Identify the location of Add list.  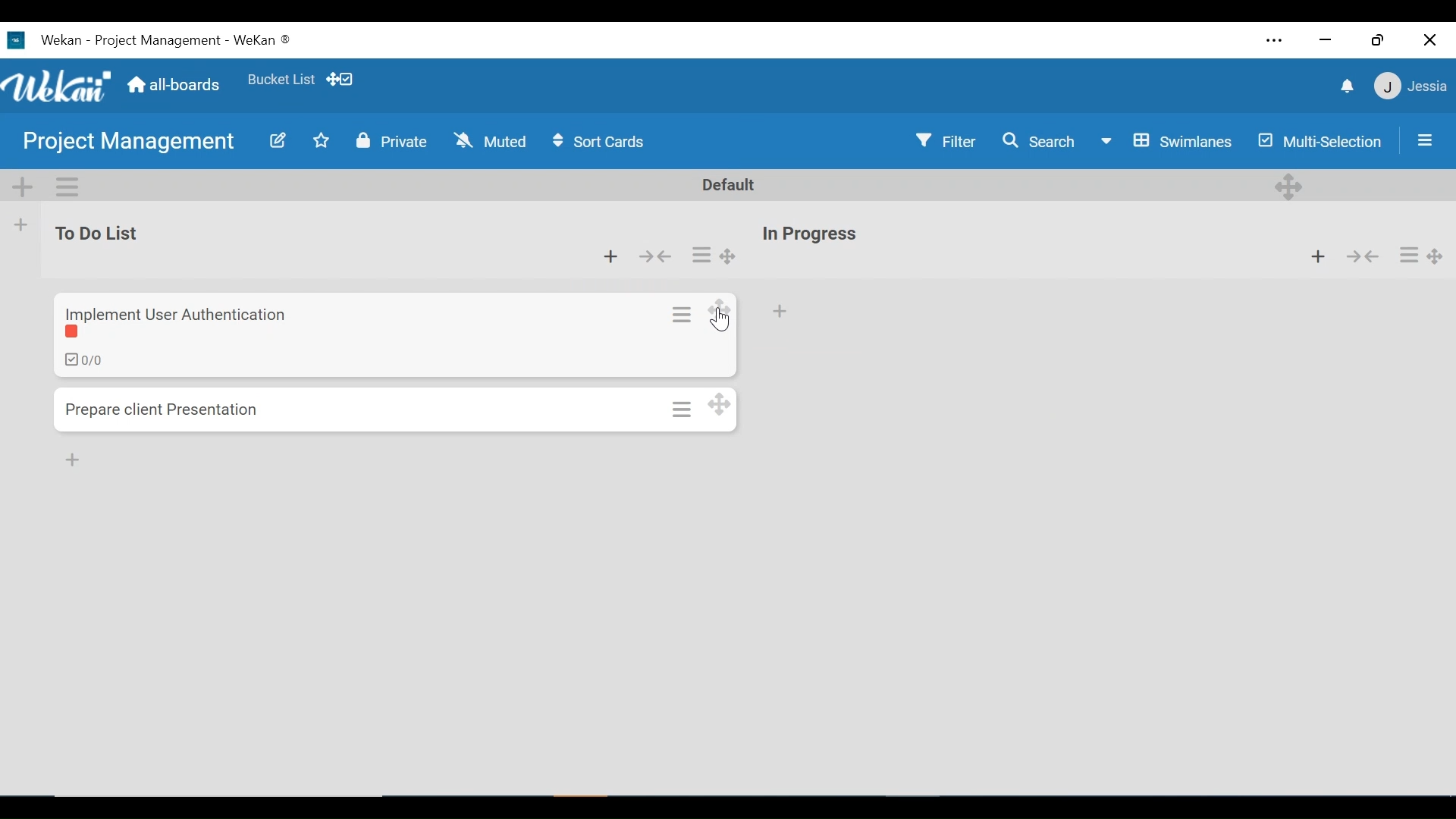
(21, 227).